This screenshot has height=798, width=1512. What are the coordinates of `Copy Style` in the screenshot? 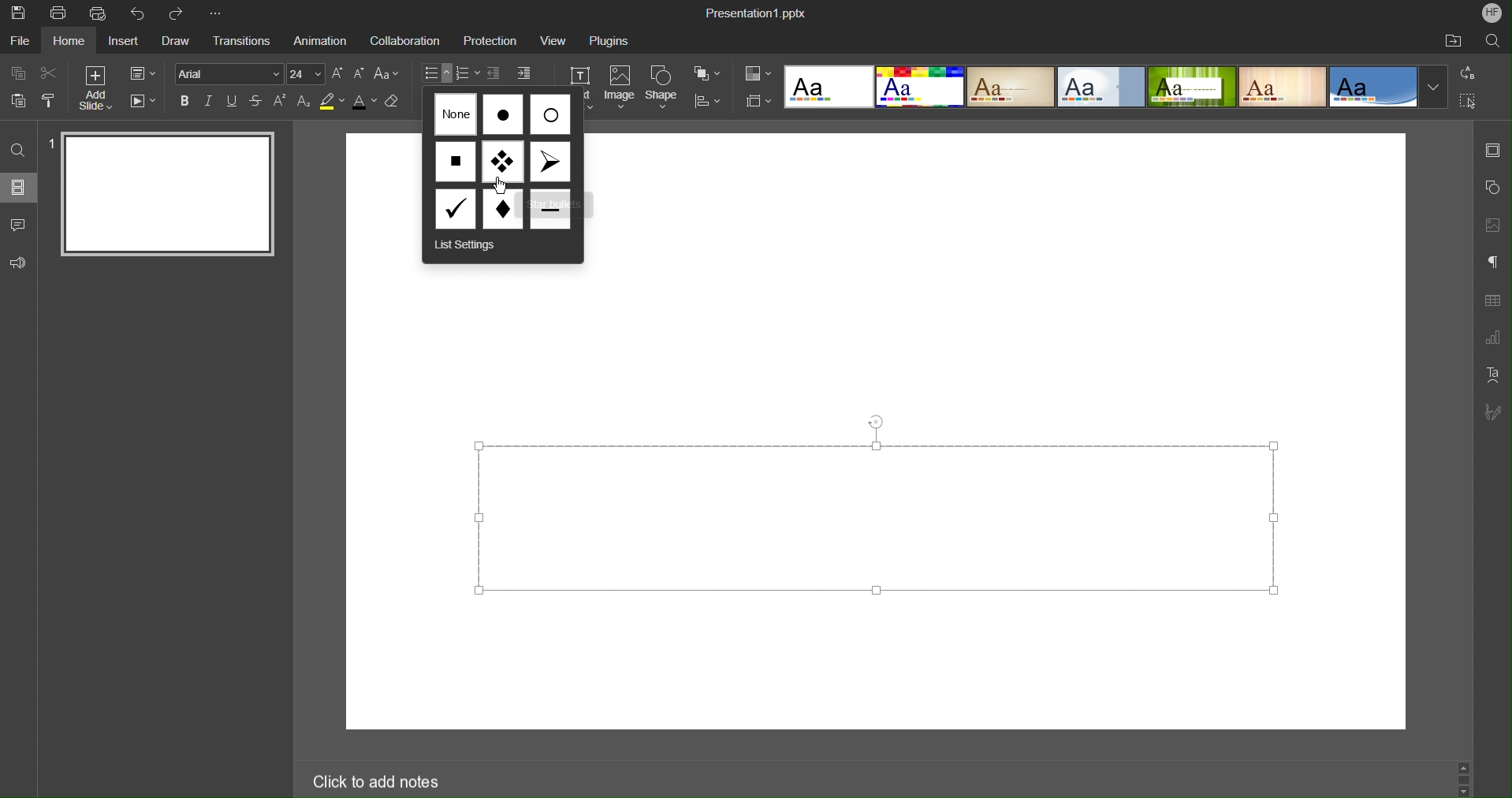 It's located at (48, 101).